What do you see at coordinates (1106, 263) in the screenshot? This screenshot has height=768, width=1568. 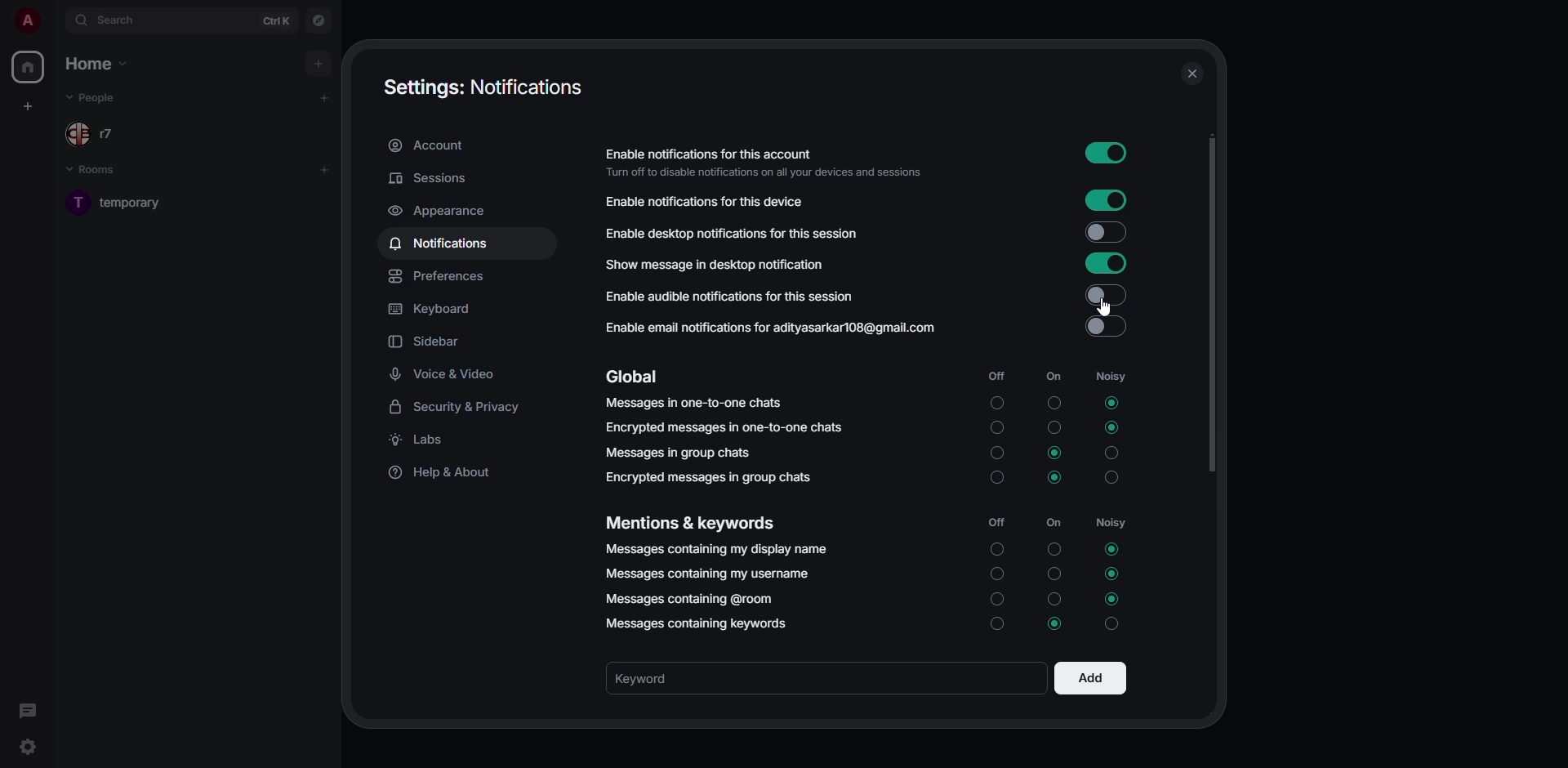 I see `enable` at bounding box center [1106, 263].